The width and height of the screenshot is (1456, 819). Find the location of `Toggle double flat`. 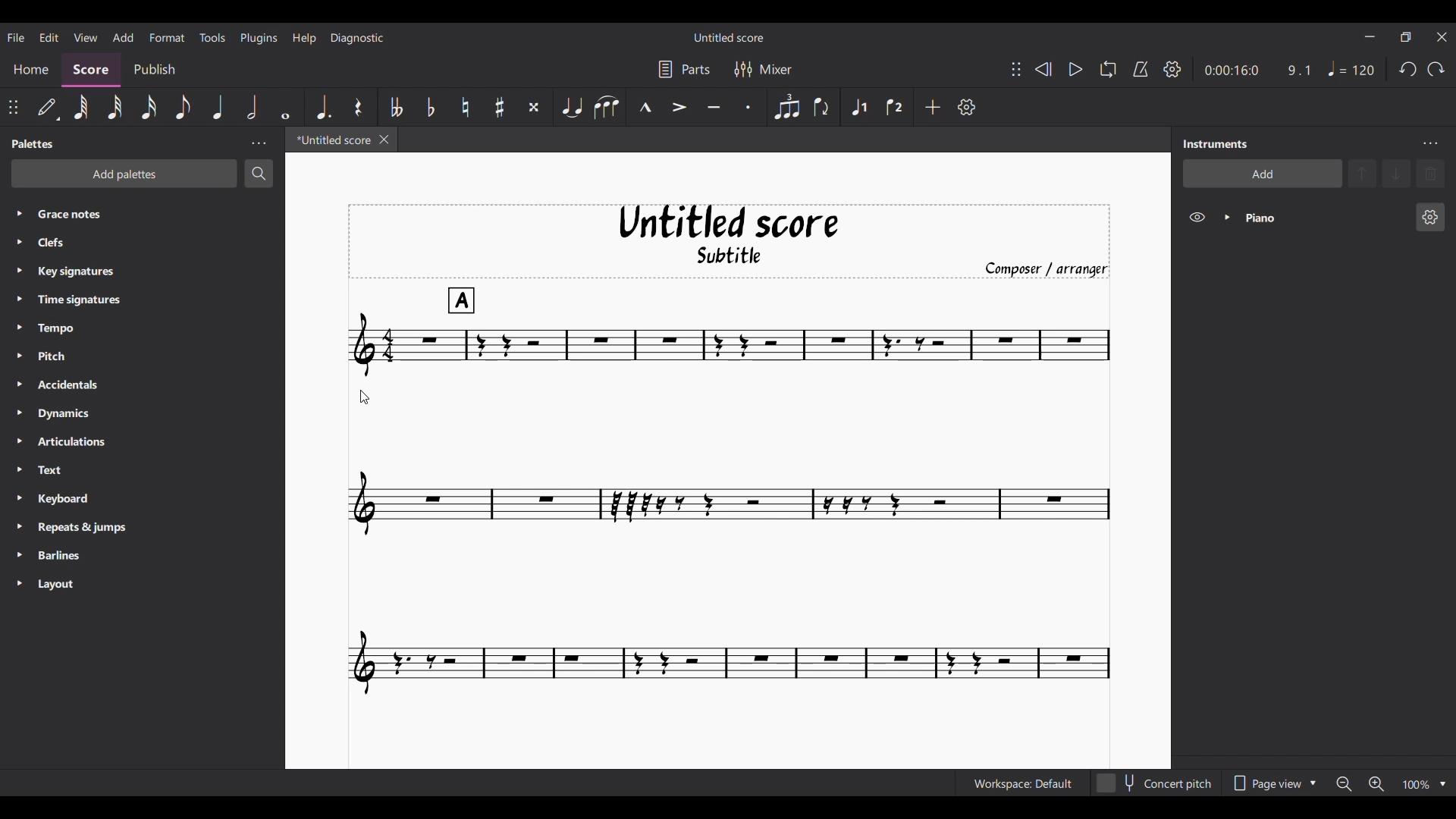

Toggle double flat is located at coordinates (397, 107).